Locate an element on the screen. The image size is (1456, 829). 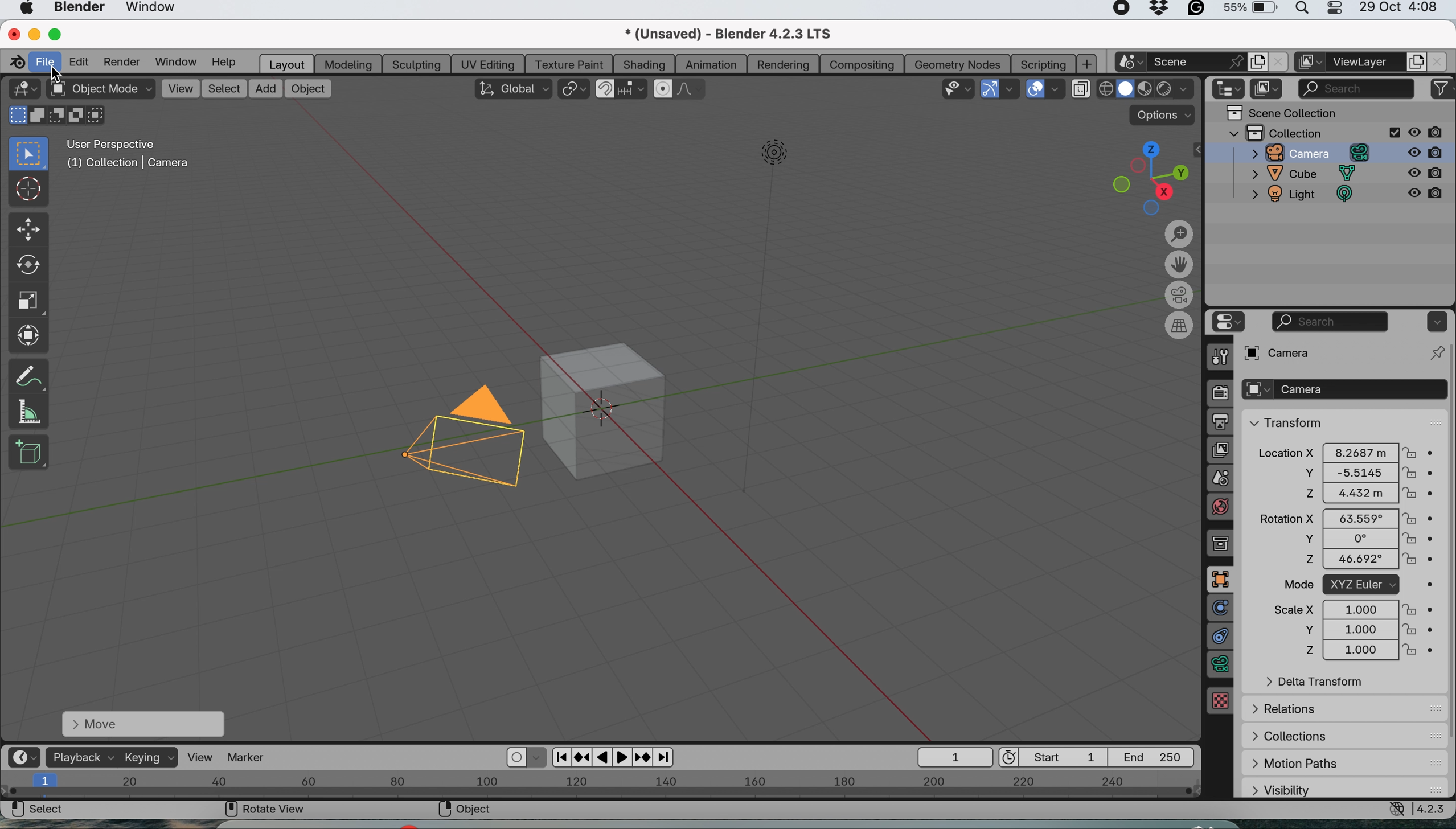
render is located at coordinates (125, 61).